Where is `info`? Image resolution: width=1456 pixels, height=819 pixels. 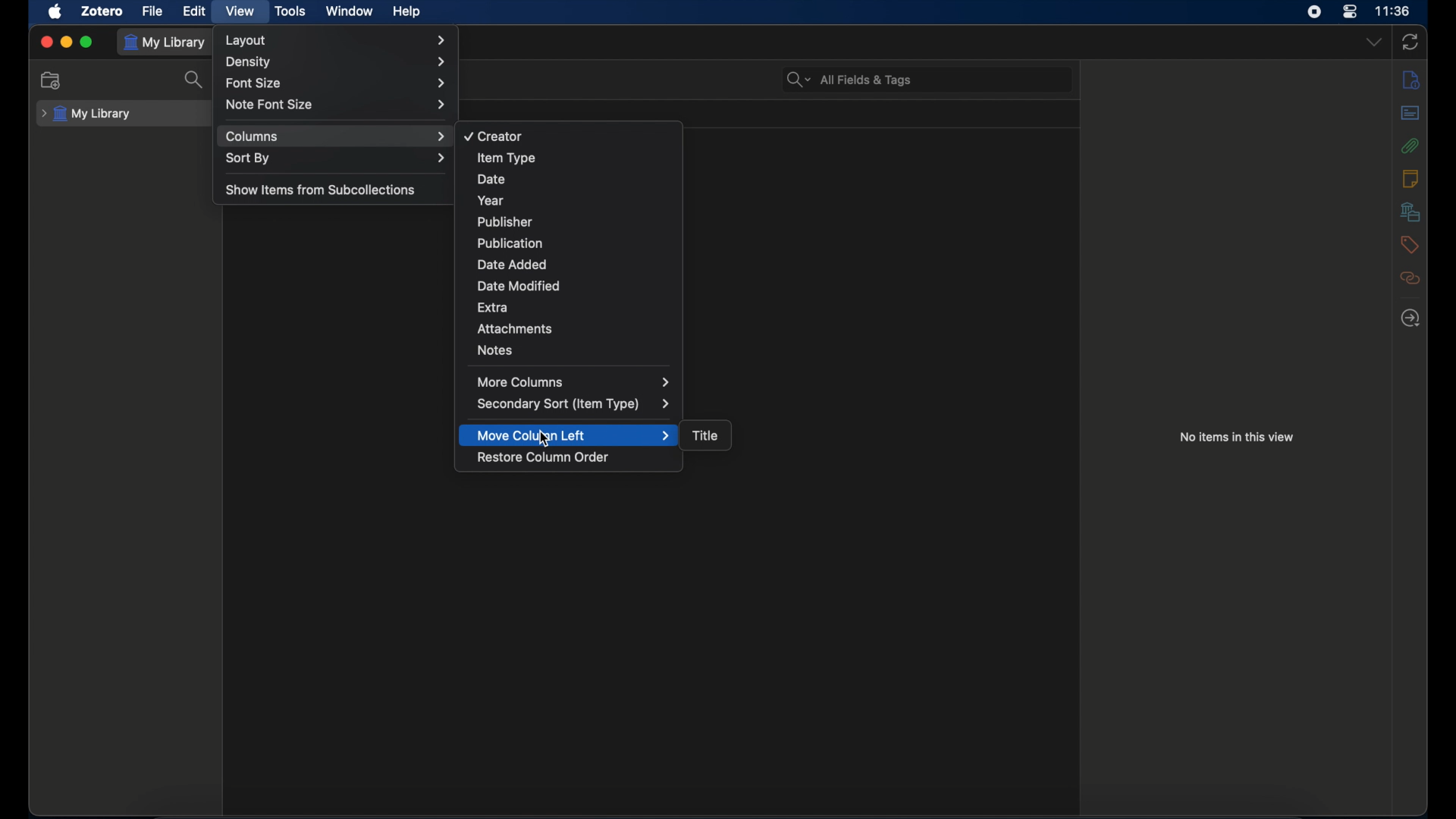 info is located at coordinates (1412, 80).